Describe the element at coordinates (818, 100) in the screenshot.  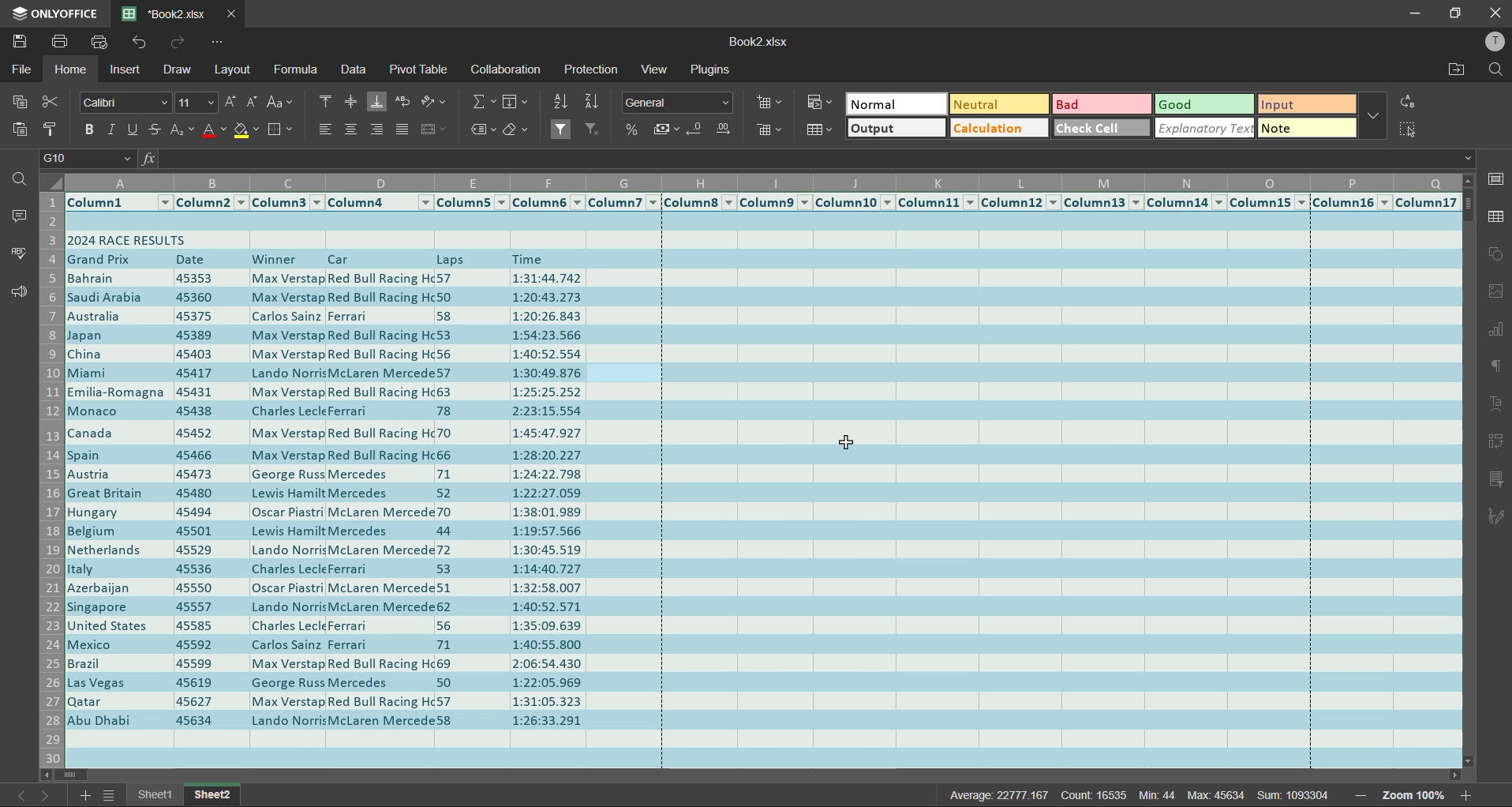
I see `conditional formatting` at that location.